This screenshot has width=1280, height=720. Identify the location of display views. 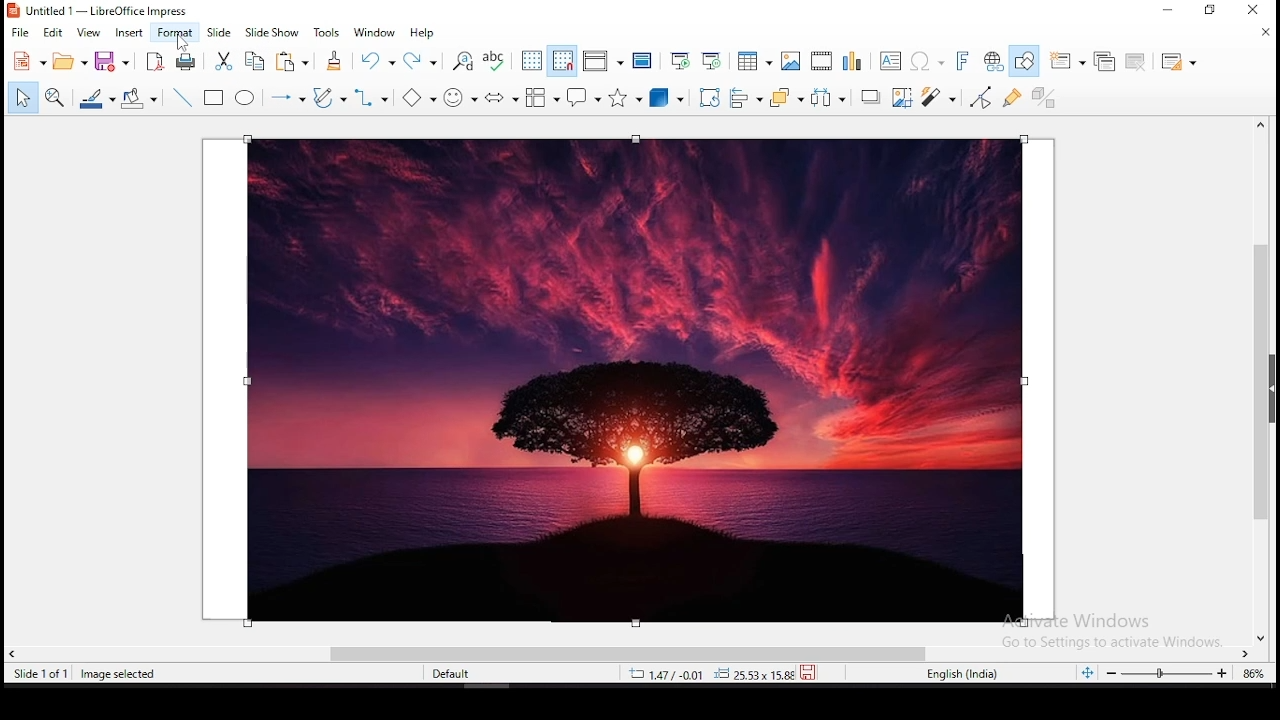
(604, 62).